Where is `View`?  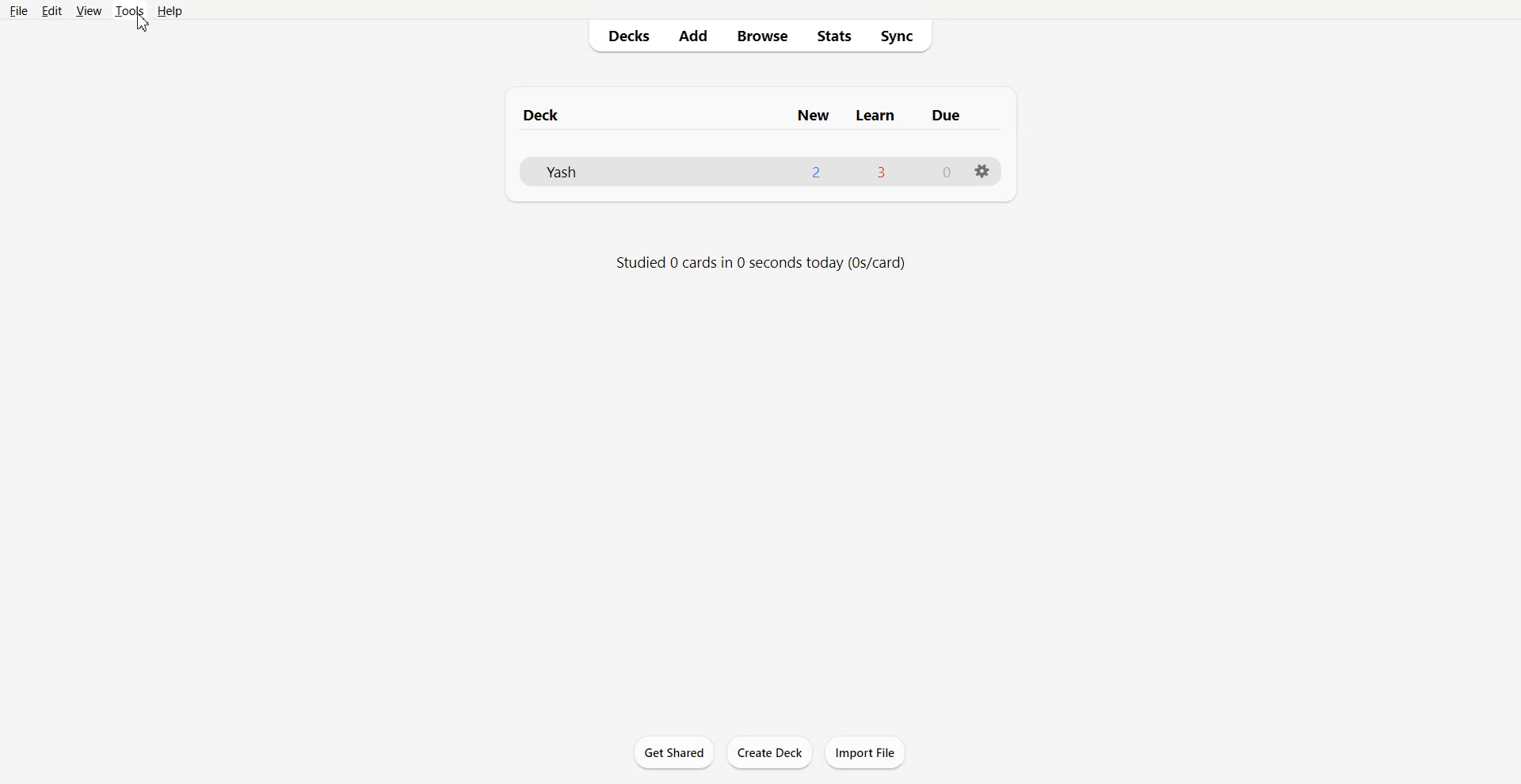 View is located at coordinates (88, 11).